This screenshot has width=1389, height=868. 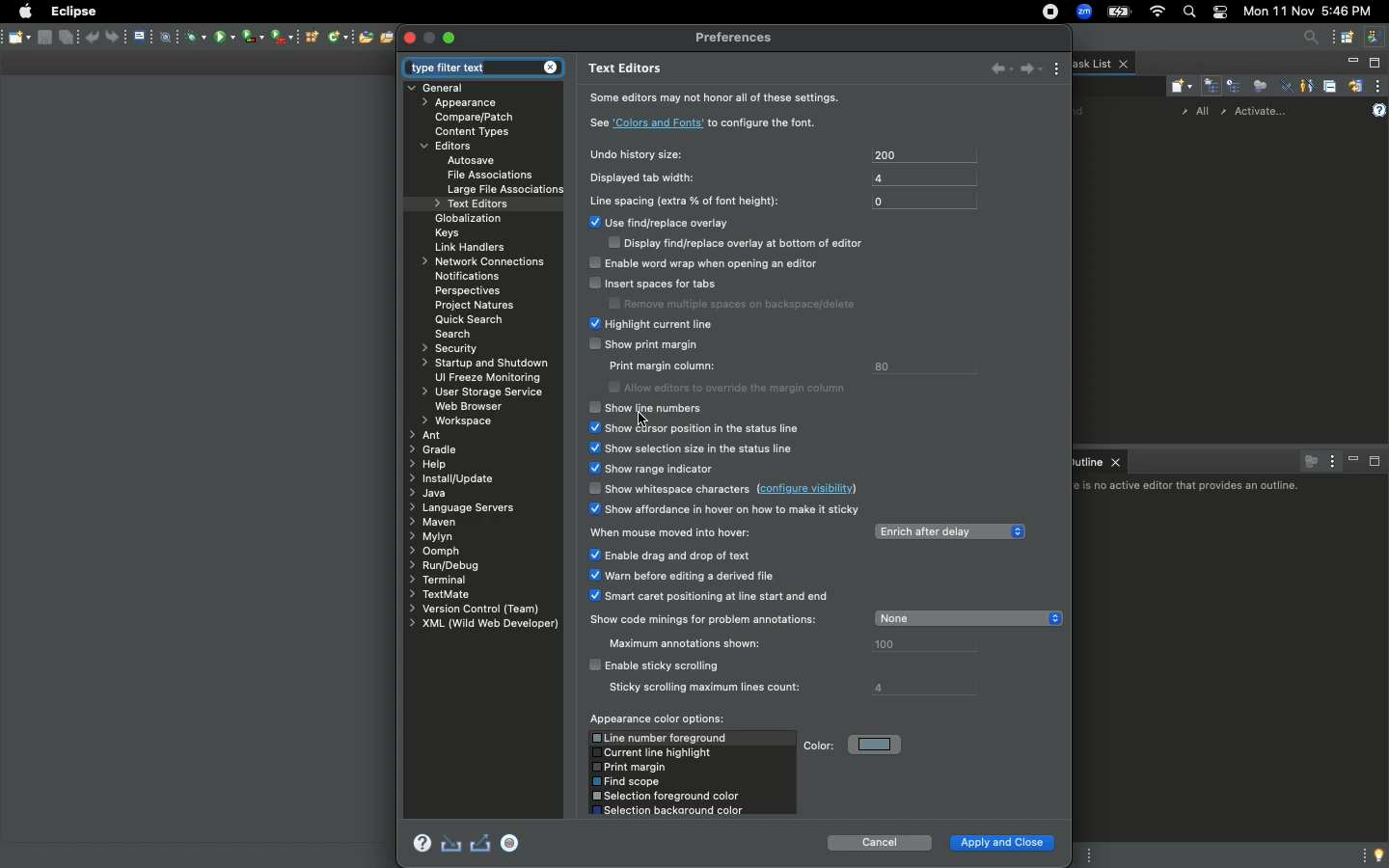 What do you see at coordinates (93, 38) in the screenshot?
I see `Back` at bounding box center [93, 38].